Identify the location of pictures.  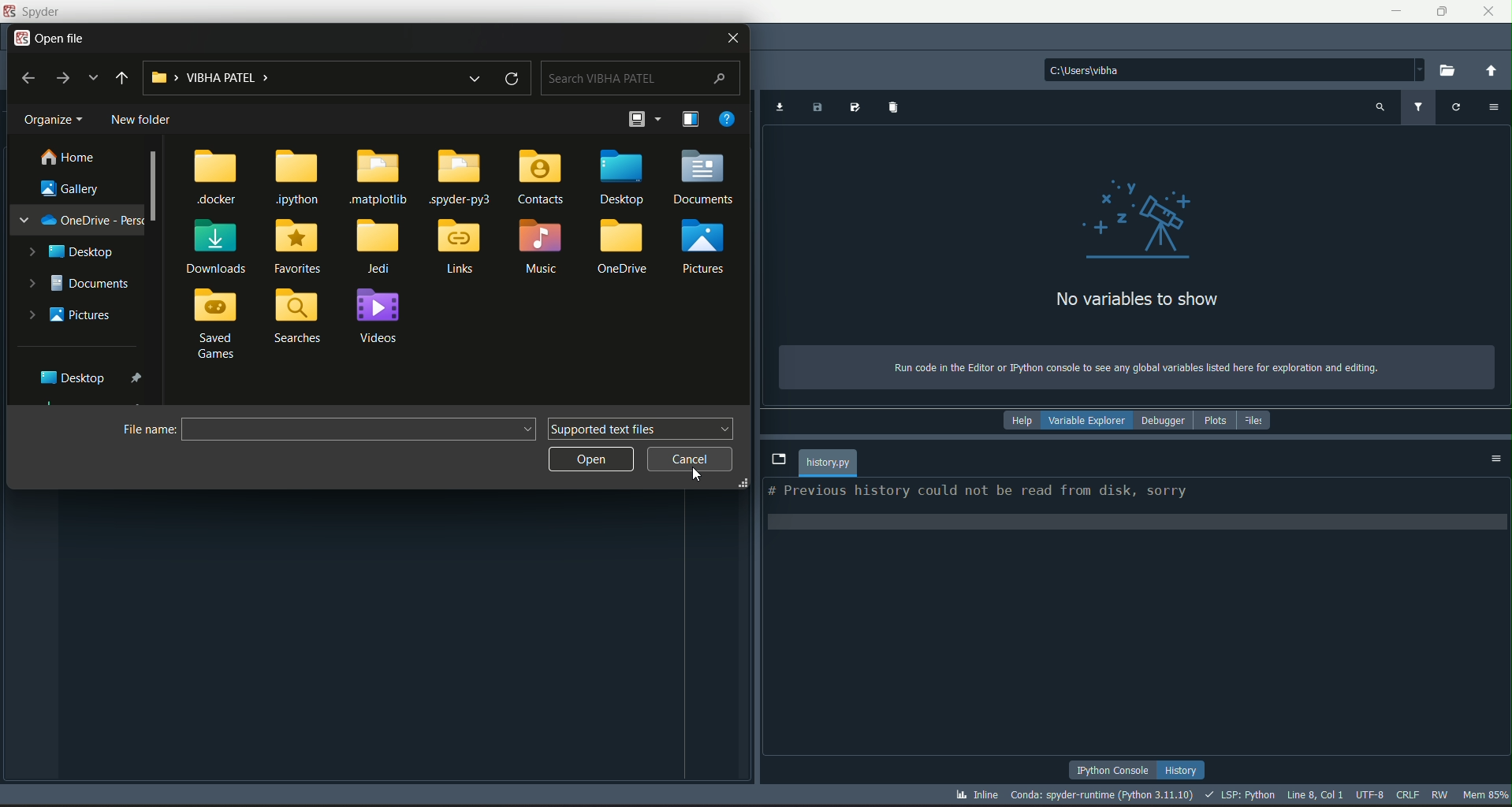
(72, 315).